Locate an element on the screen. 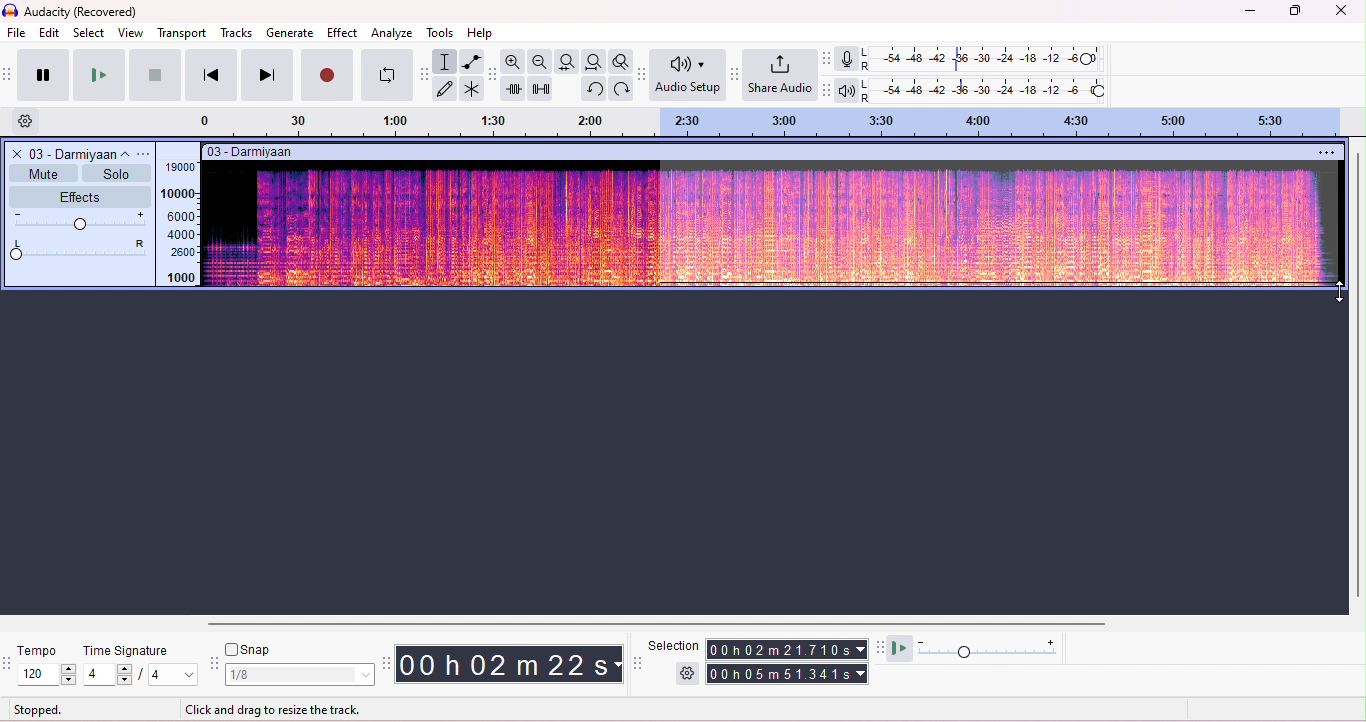 Image resolution: width=1366 pixels, height=722 pixels. frequency is located at coordinates (179, 222).